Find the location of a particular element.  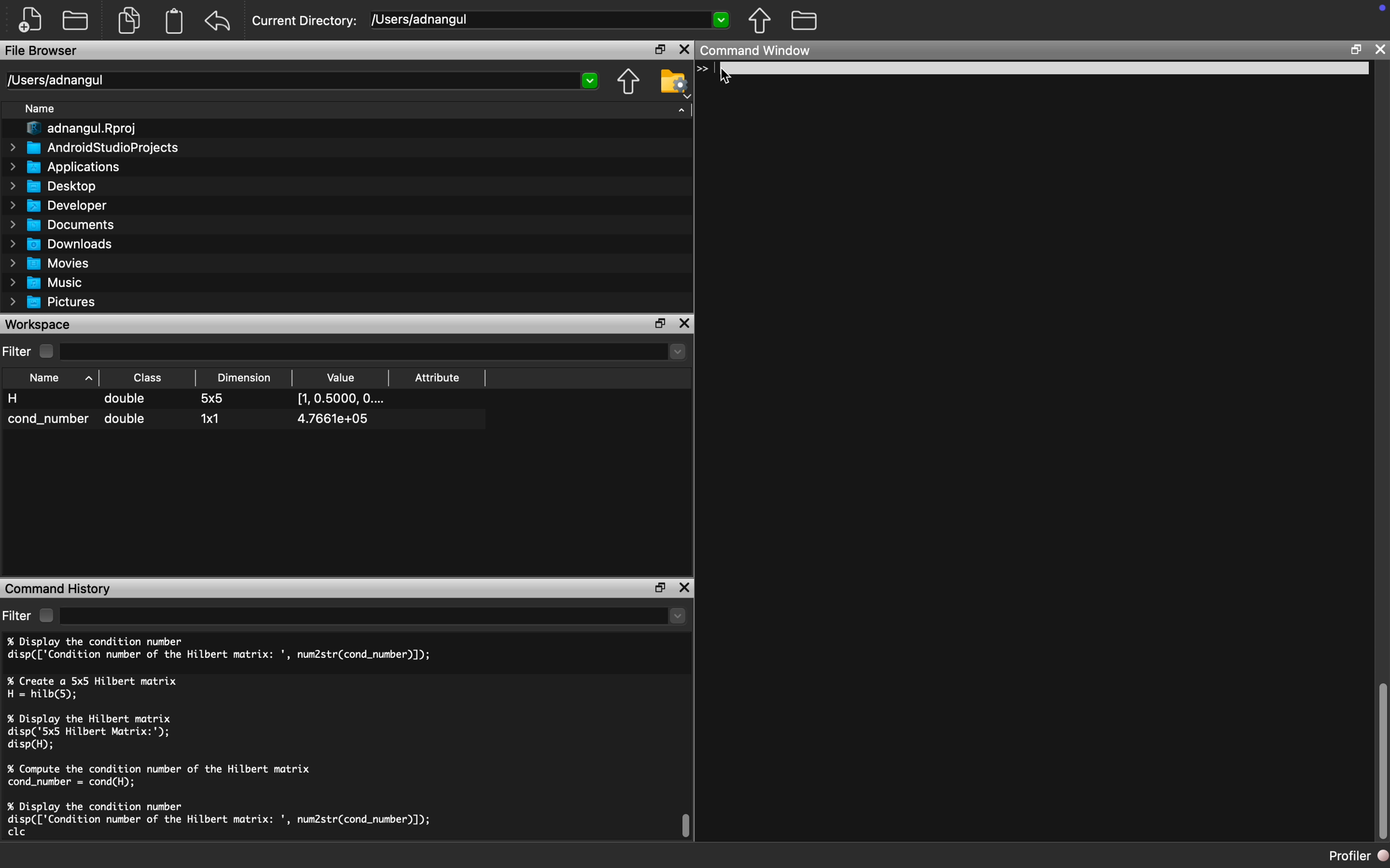

Command Window is located at coordinates (758, 51).